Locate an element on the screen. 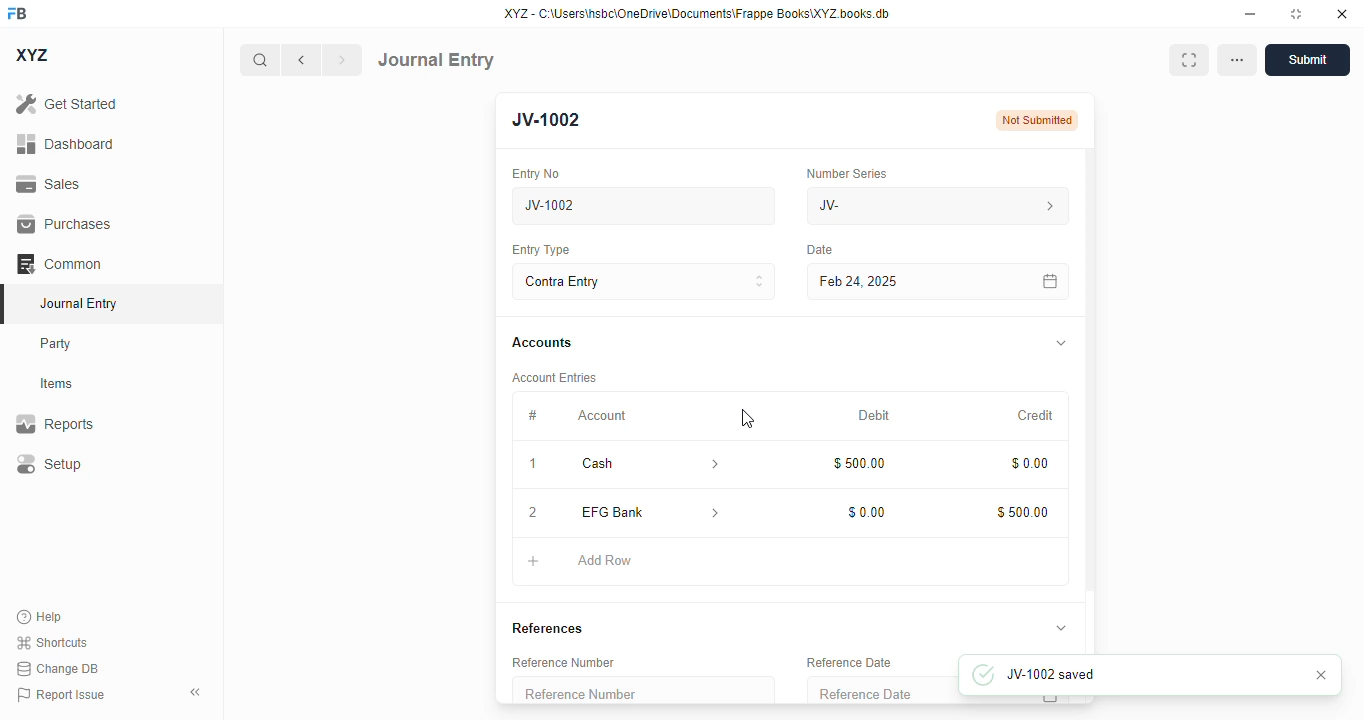 The width and height of the screenshot is (1364, 720). toggle maximize is located at coordinates (1296, 14).